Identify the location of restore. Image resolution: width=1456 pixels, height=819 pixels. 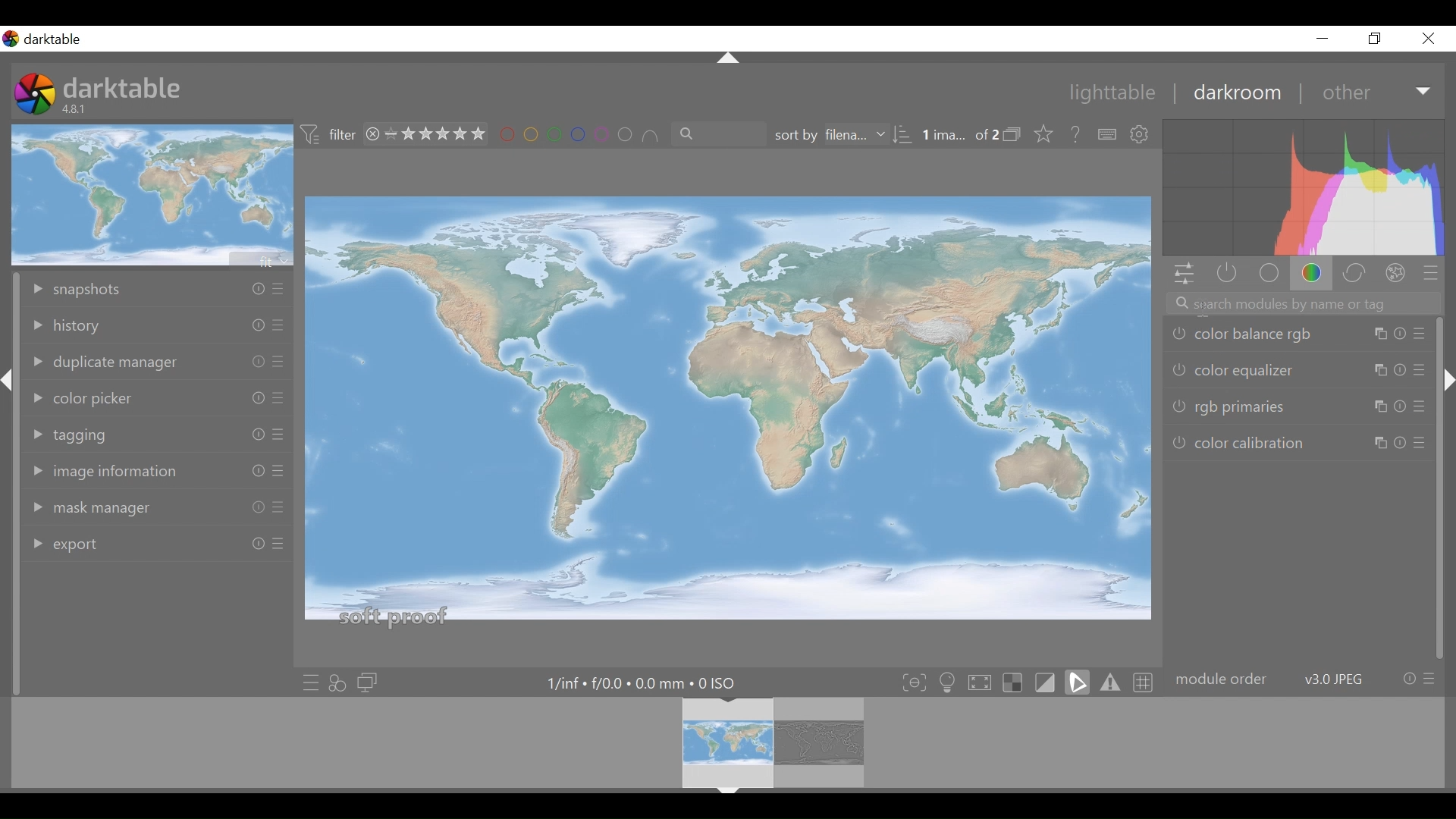
(1376, 39).